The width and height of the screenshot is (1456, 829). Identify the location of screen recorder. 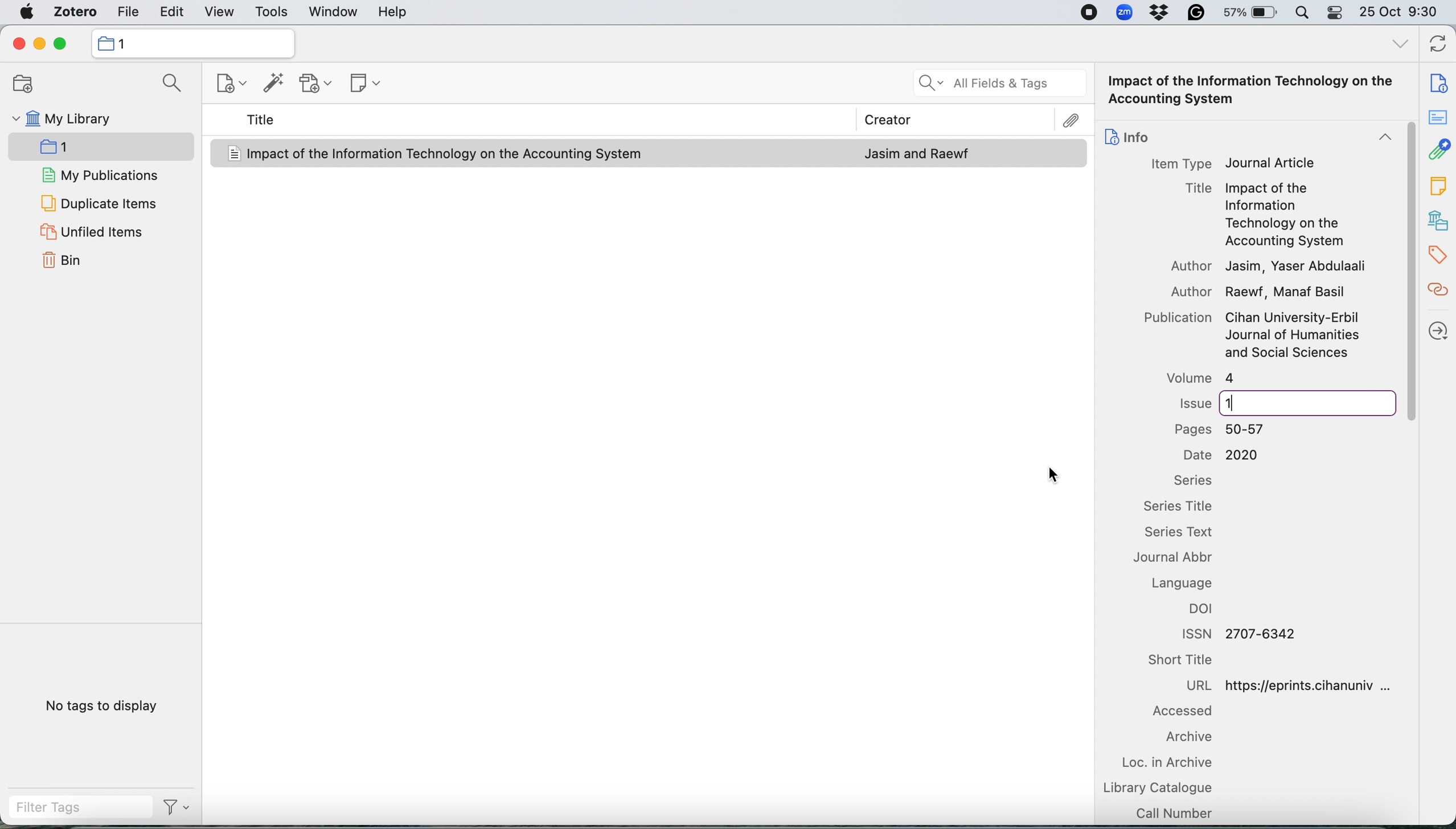
(1089, 12).